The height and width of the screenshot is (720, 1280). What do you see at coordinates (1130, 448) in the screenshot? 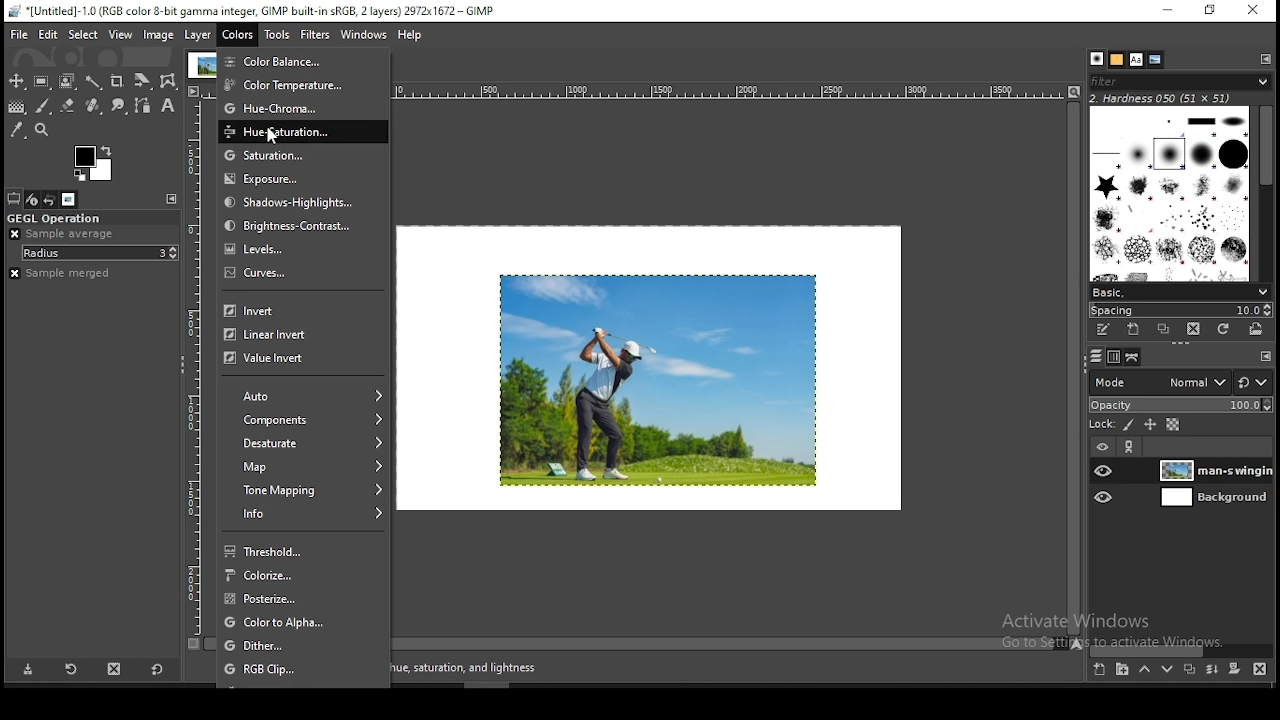
I see `link` at bounding box center [1130, 448].